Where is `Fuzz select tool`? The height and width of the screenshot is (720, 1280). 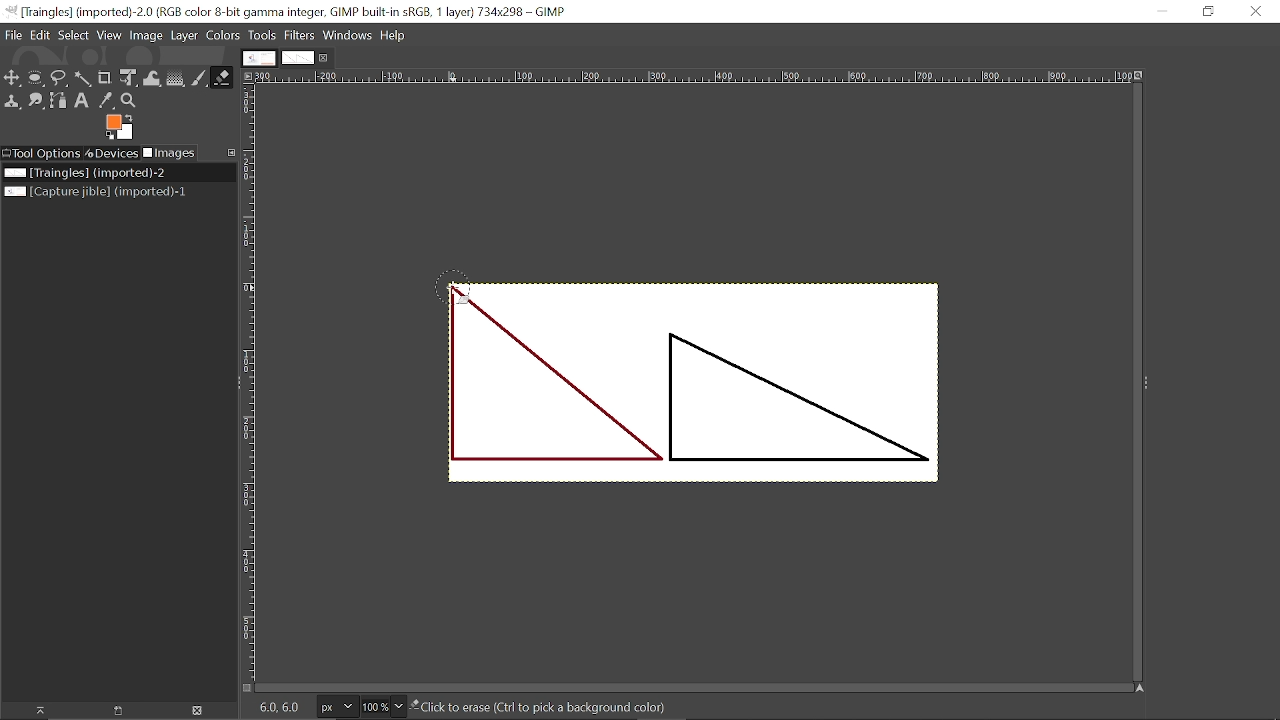
Fuzz select tool is located at coordinates (81, 79).